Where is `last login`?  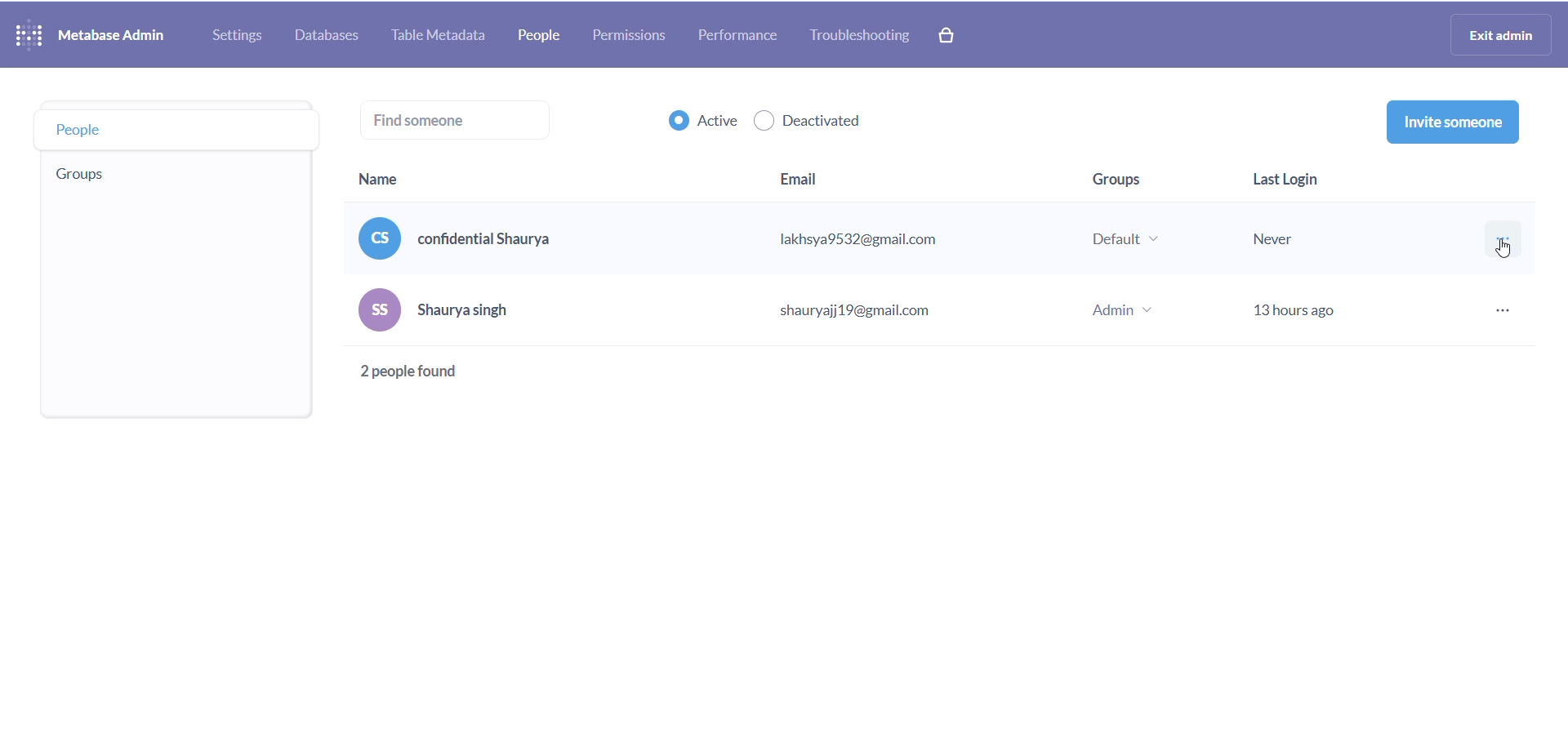
last login is located at coordinates (1310, 181).